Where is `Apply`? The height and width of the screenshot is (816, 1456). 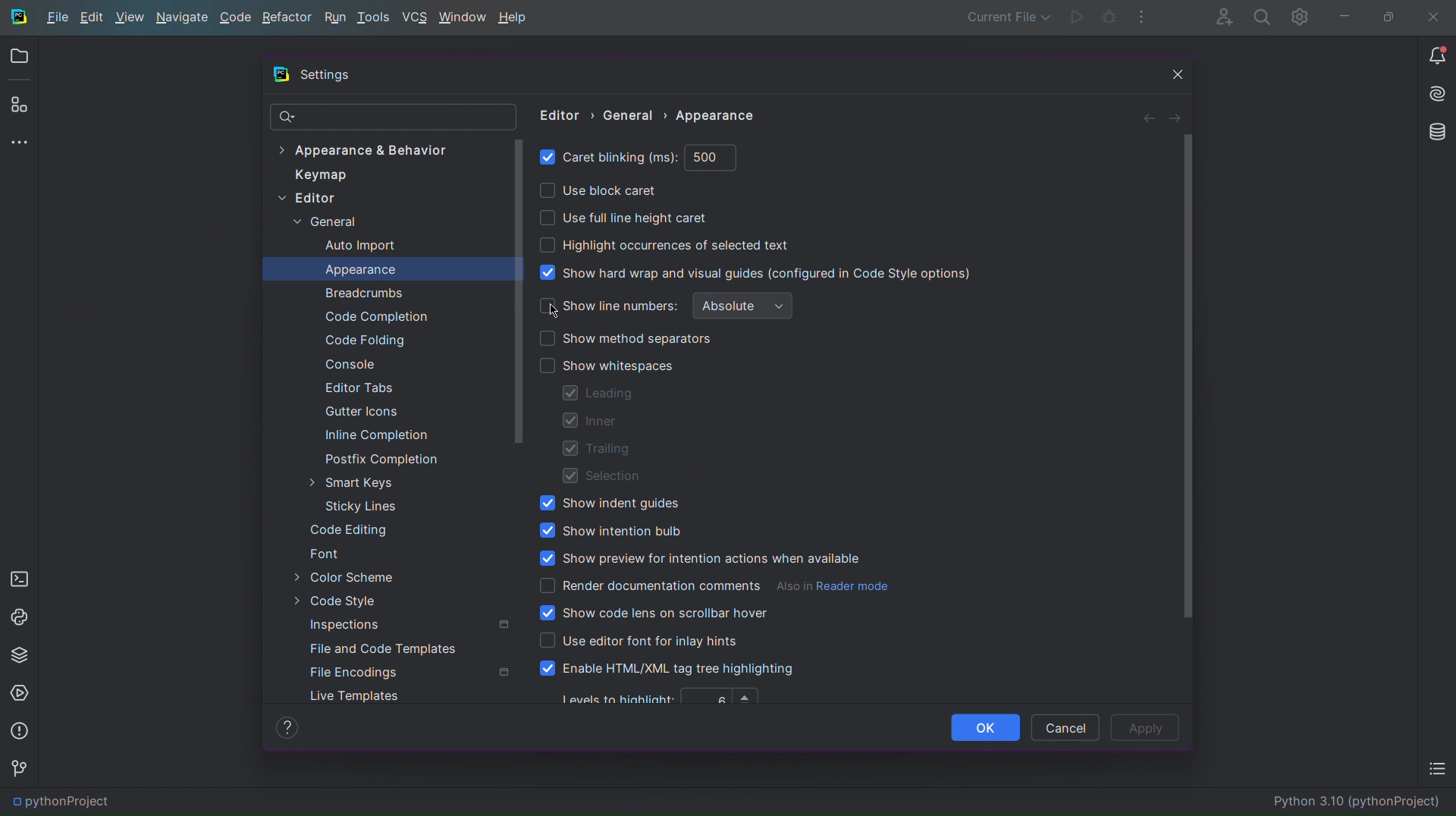 Apply is located at coordinates (1147, 727).